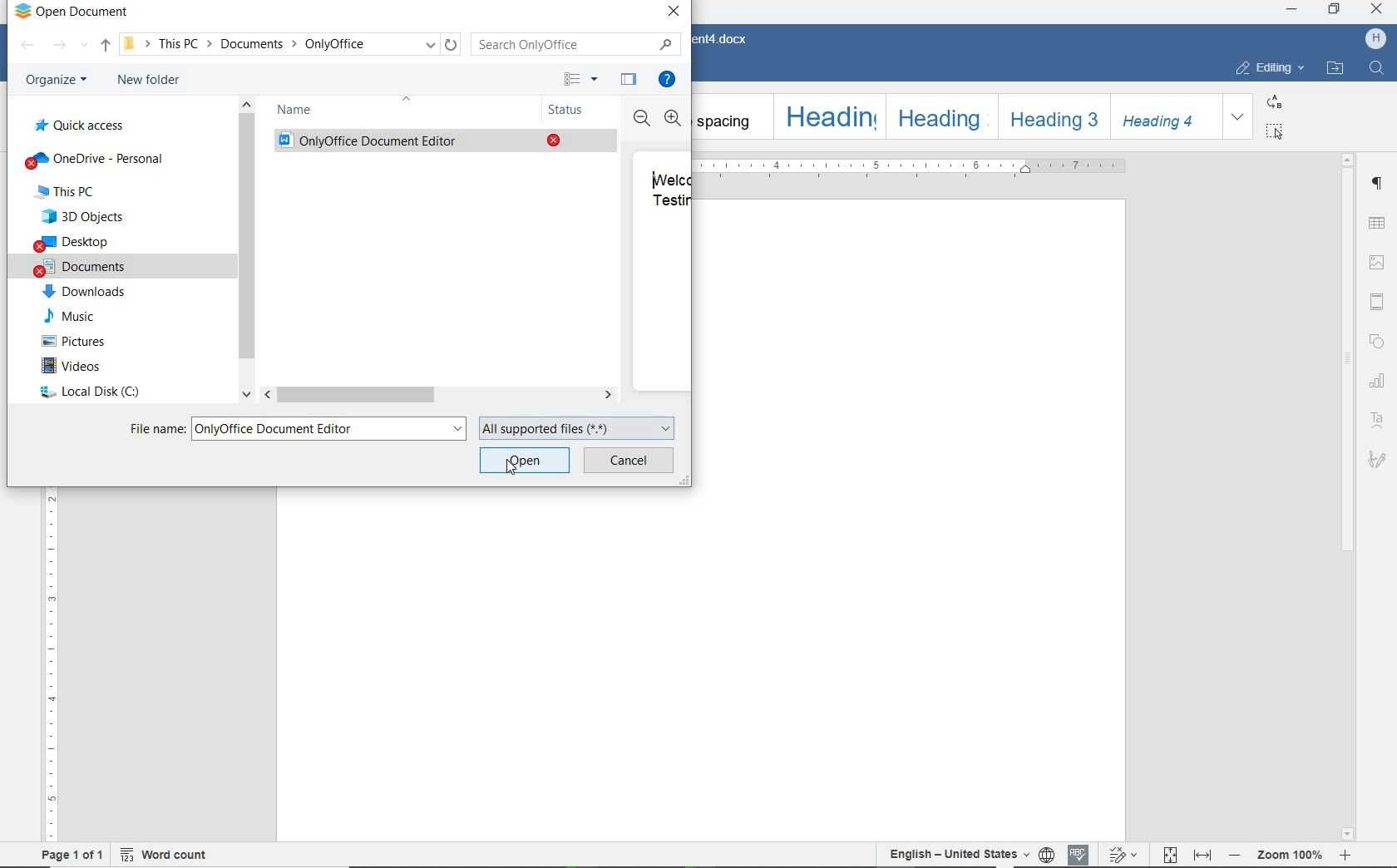  What do you see at coordinates (956, 856) in the screenshot?
I see `text language` at bounding box center [956, 856].